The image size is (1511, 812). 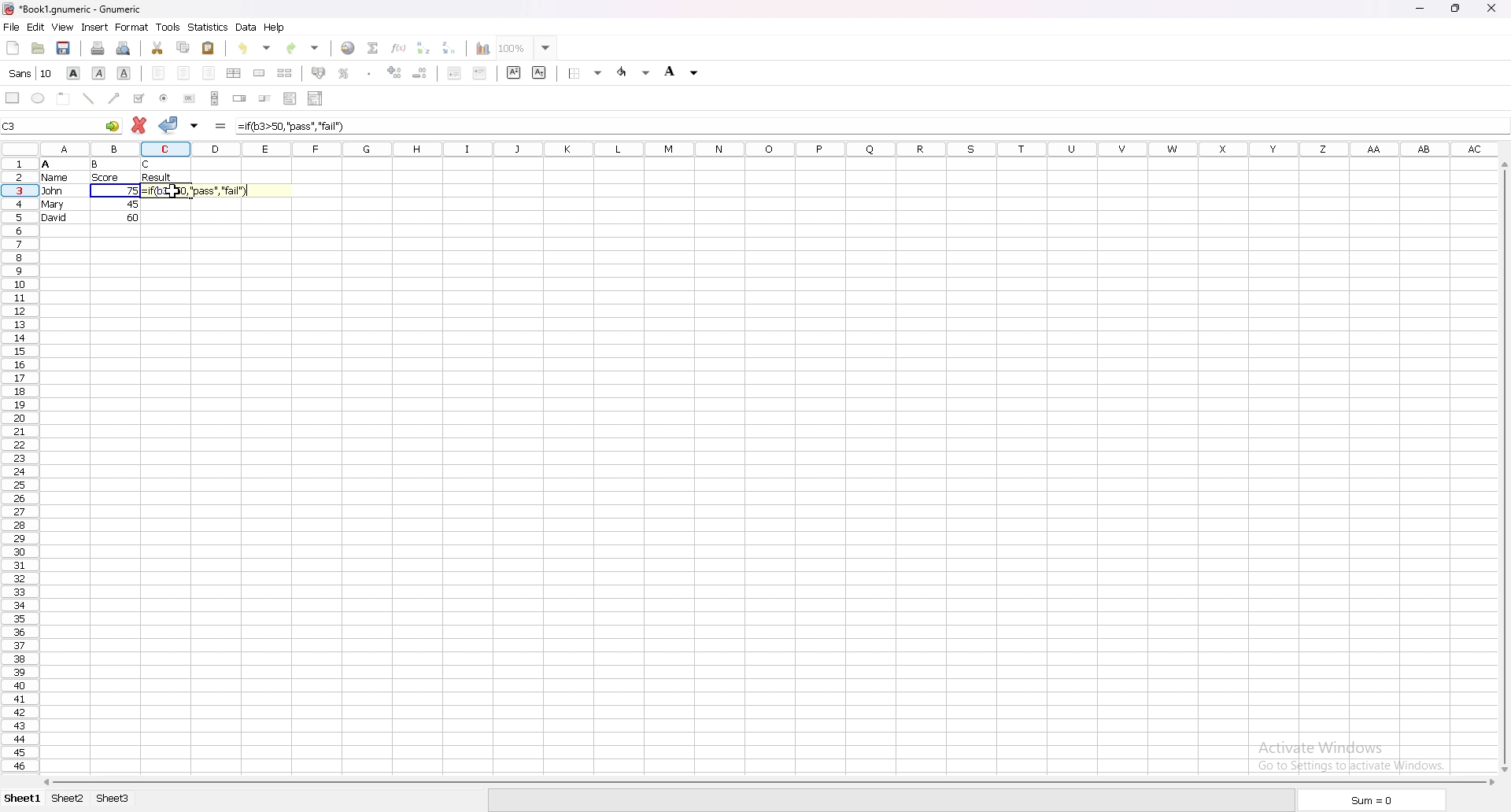 What do you see at coordinates (397, 72) in the screenshot?
I see `increase decimals` at bounding box center [397, 72].